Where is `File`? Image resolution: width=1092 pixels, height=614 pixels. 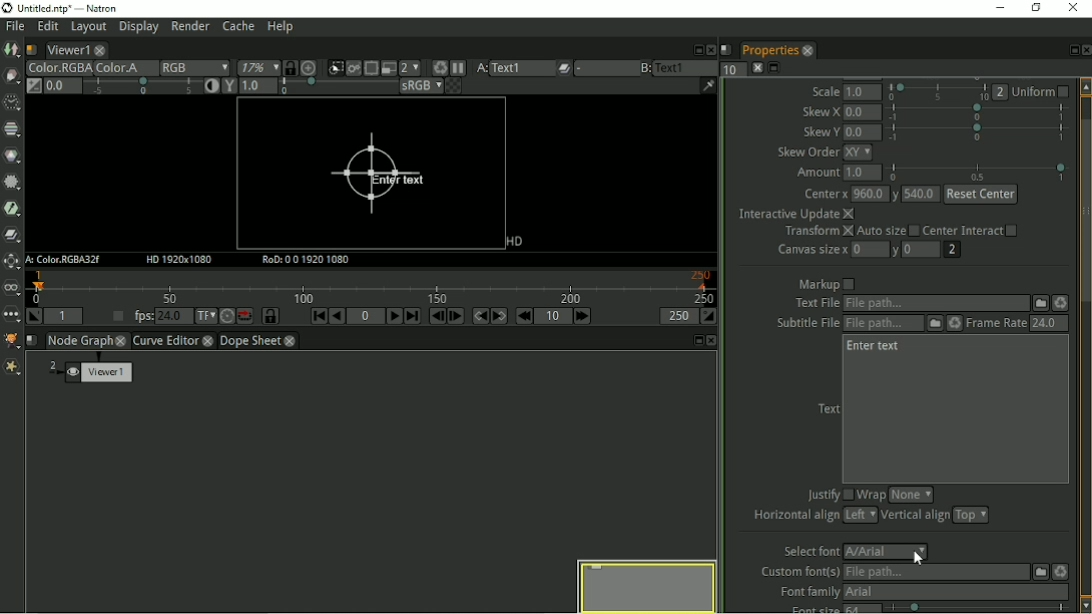 File is located at coordinates (1039, 303).